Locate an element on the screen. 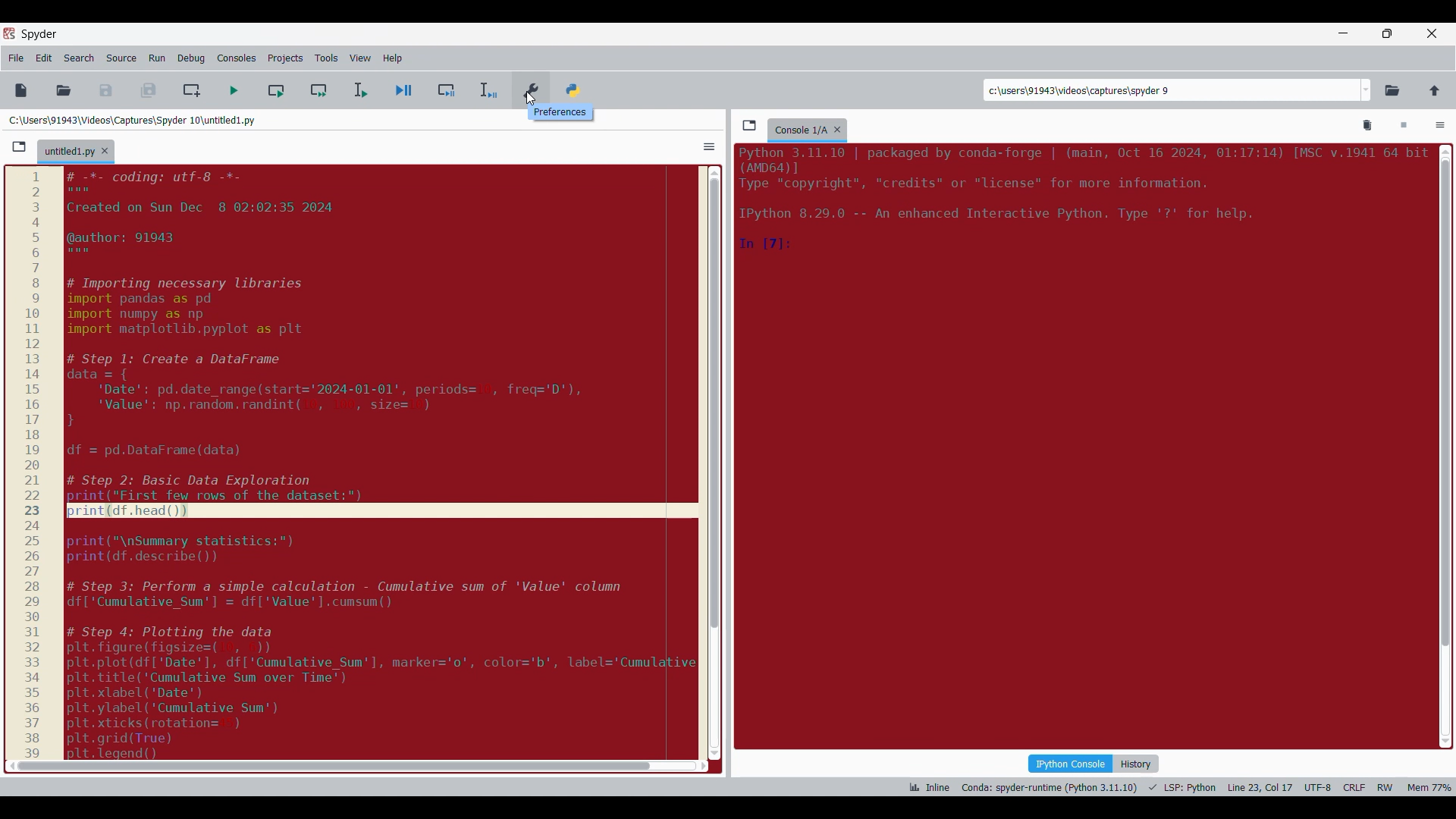  Current tab is located at coordinates (69, 152).